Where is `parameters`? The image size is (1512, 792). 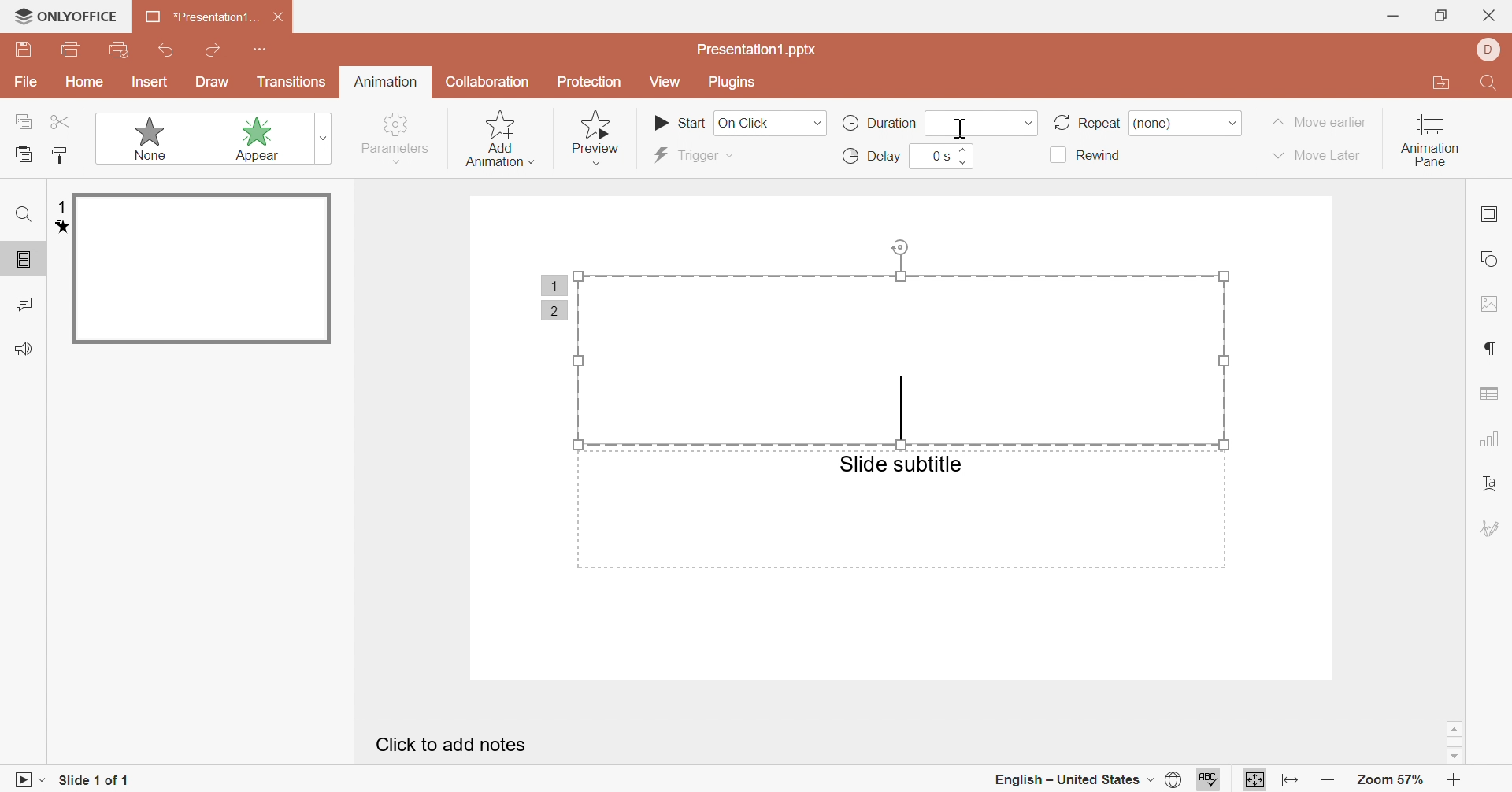 parameters is located at coordinates (397, 138).